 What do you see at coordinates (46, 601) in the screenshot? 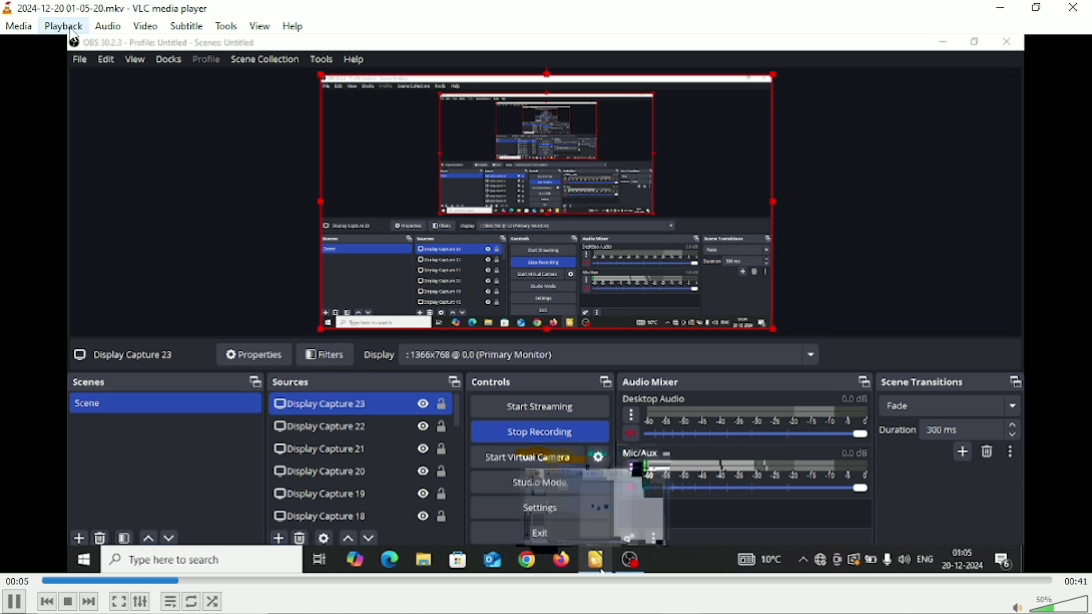
I see `Previous` at bounding box center [46, 601].